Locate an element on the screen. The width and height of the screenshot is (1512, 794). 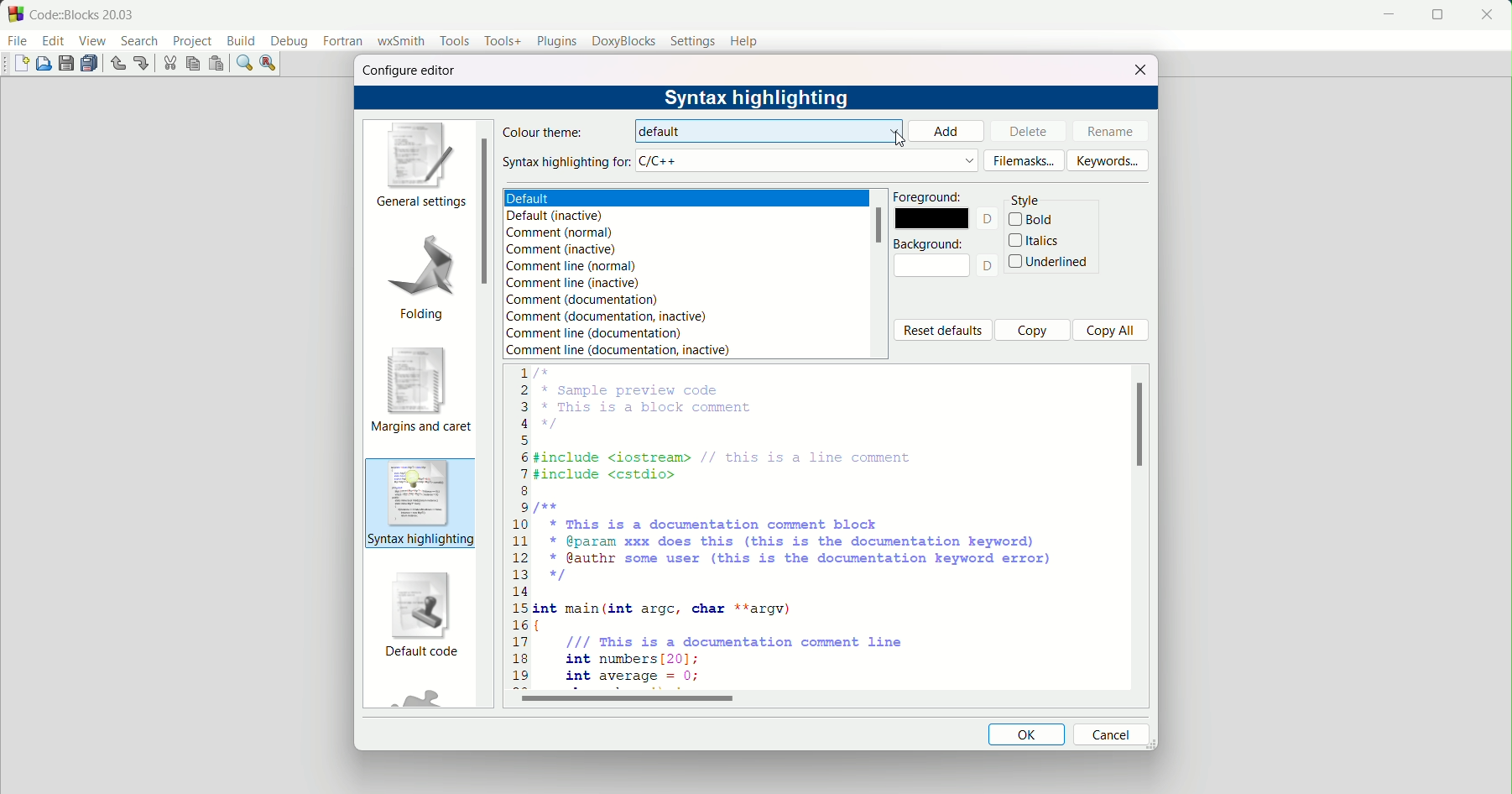
save all is located at coordinates (91, 65).